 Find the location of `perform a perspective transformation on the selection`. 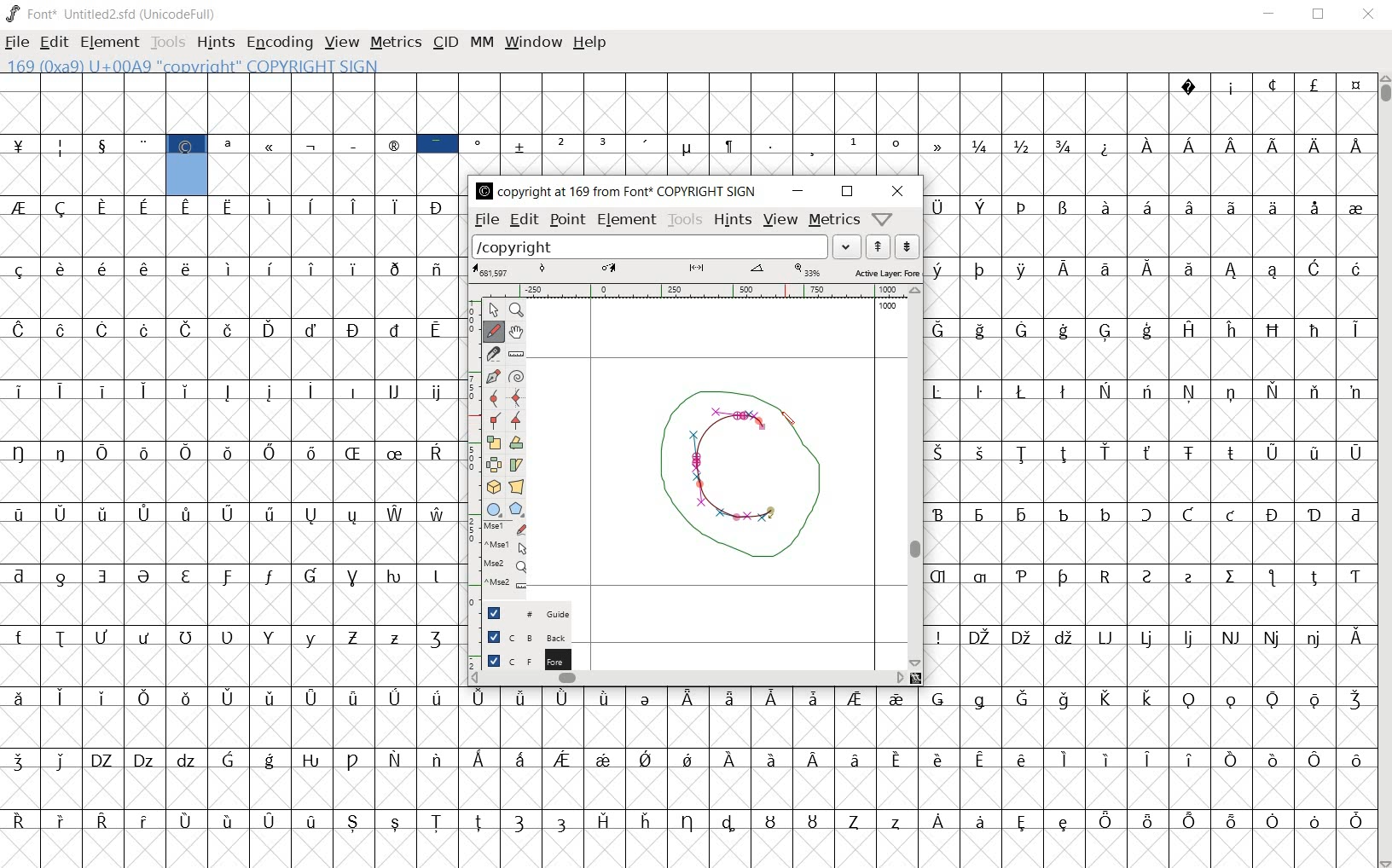

perform a perspective transformation on the selection is located at coordinates (517, 488).